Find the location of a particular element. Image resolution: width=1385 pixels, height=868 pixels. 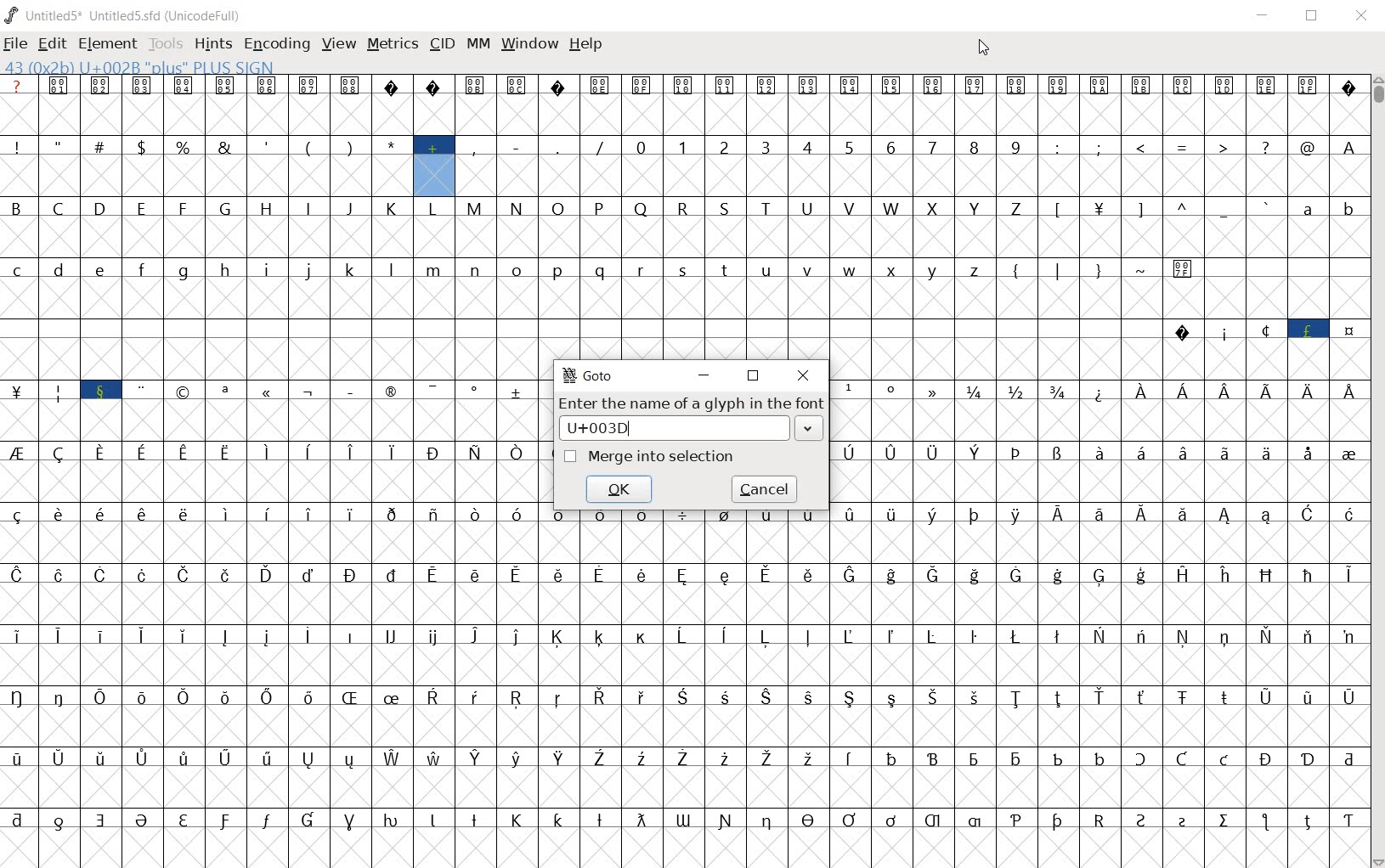

minimize is located at coordinates (704, 378).